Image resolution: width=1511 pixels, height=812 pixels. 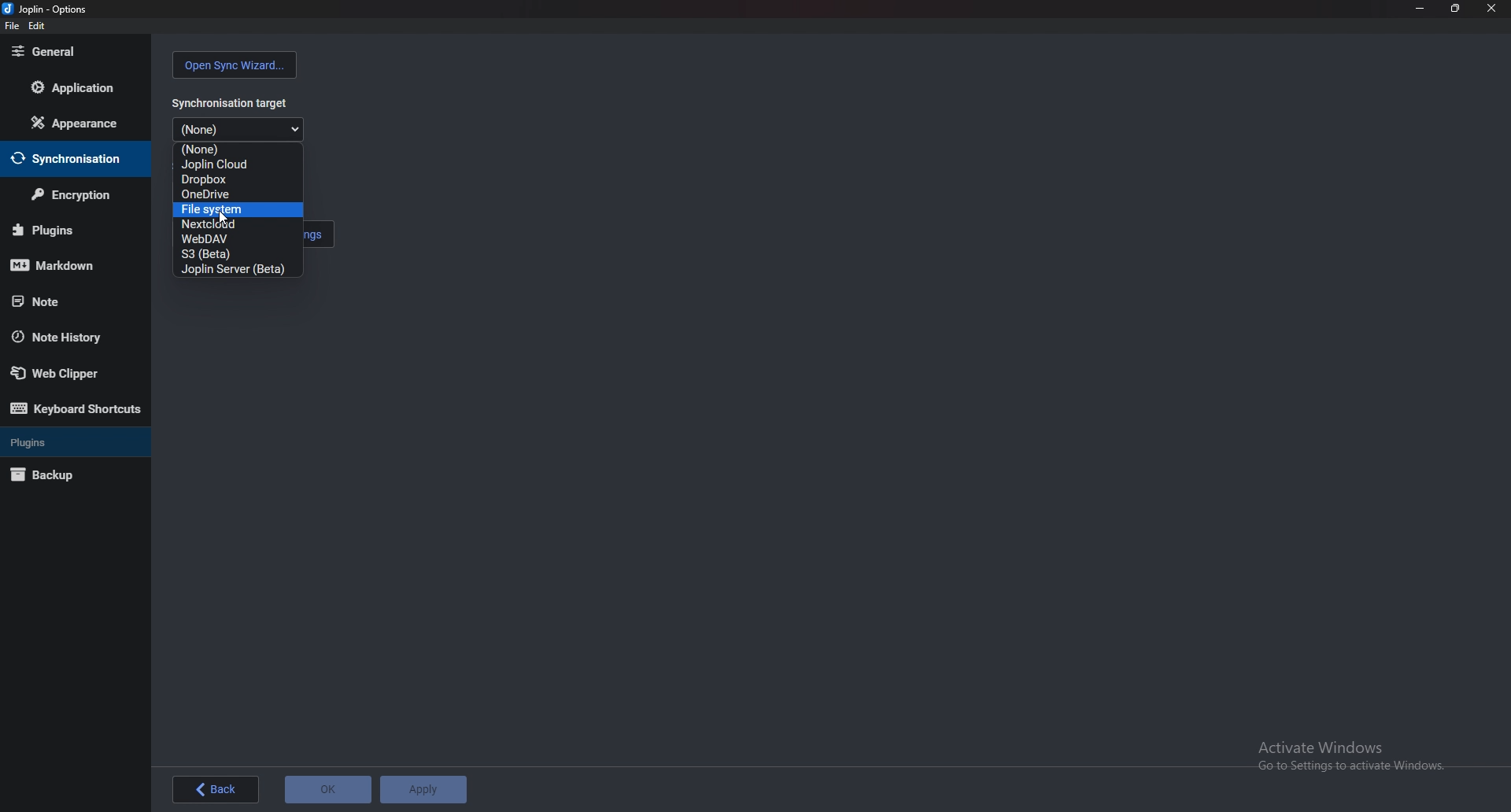 What do you see at coordinates (72, 474) in the screenshot?
I see `Backup` at bounding box center [72, 474].